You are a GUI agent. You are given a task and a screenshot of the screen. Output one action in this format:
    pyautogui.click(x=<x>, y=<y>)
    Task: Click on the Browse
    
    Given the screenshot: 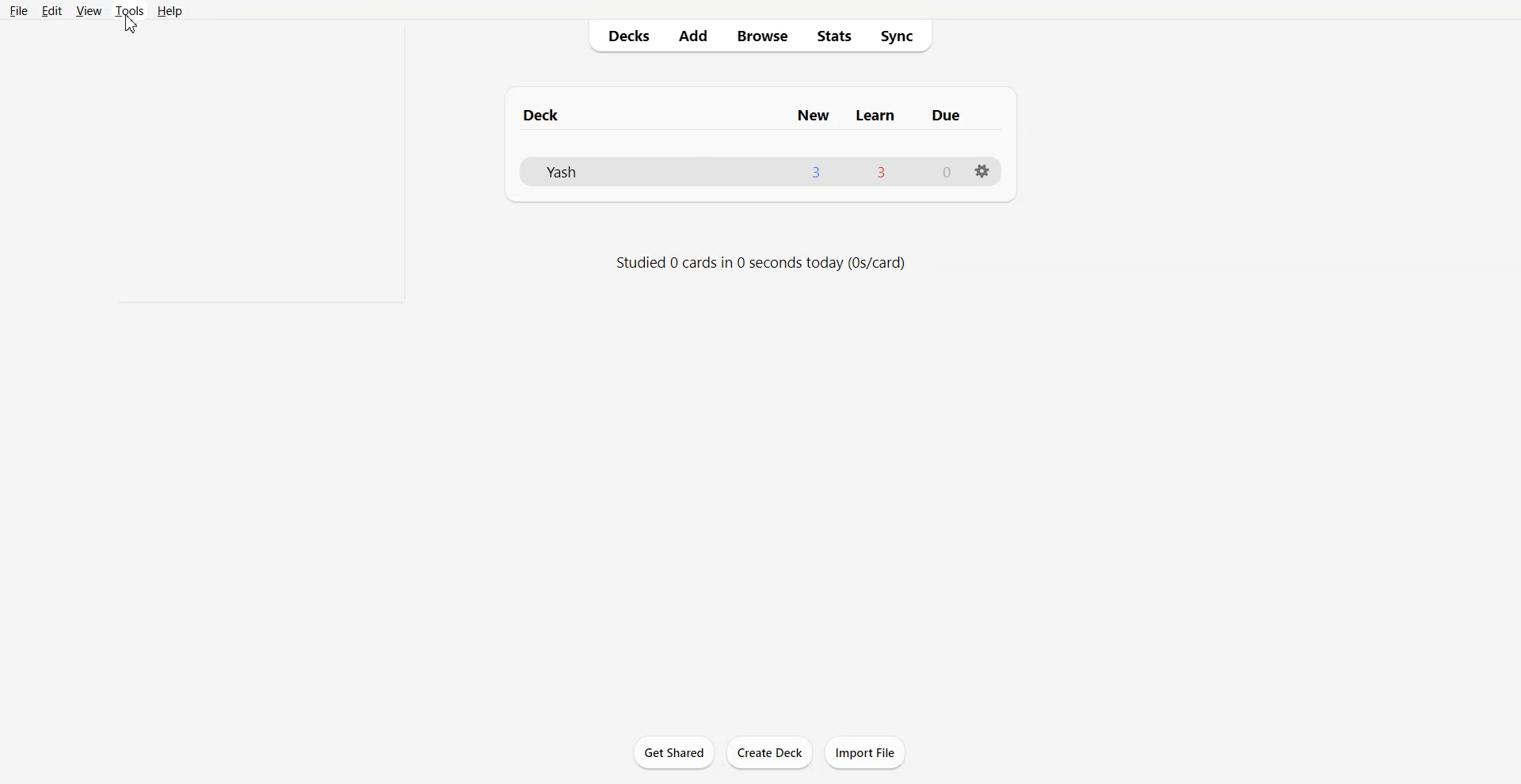 What is the action you would take?
    pyautogui.click(x=762, y=36)
    